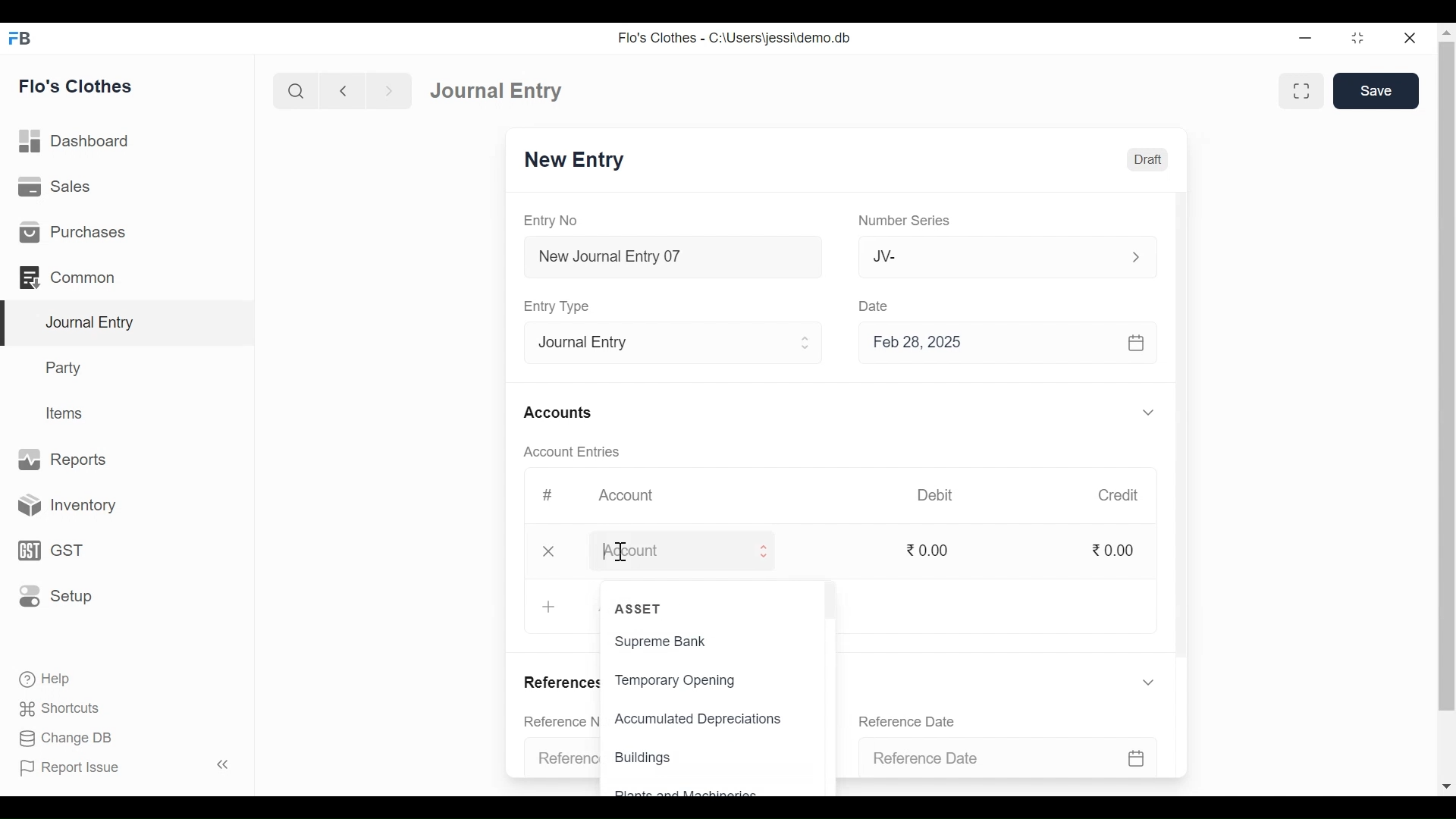  Describe the element at coordinates (805, 344) in the screenshot. I see `Expand` at that location.